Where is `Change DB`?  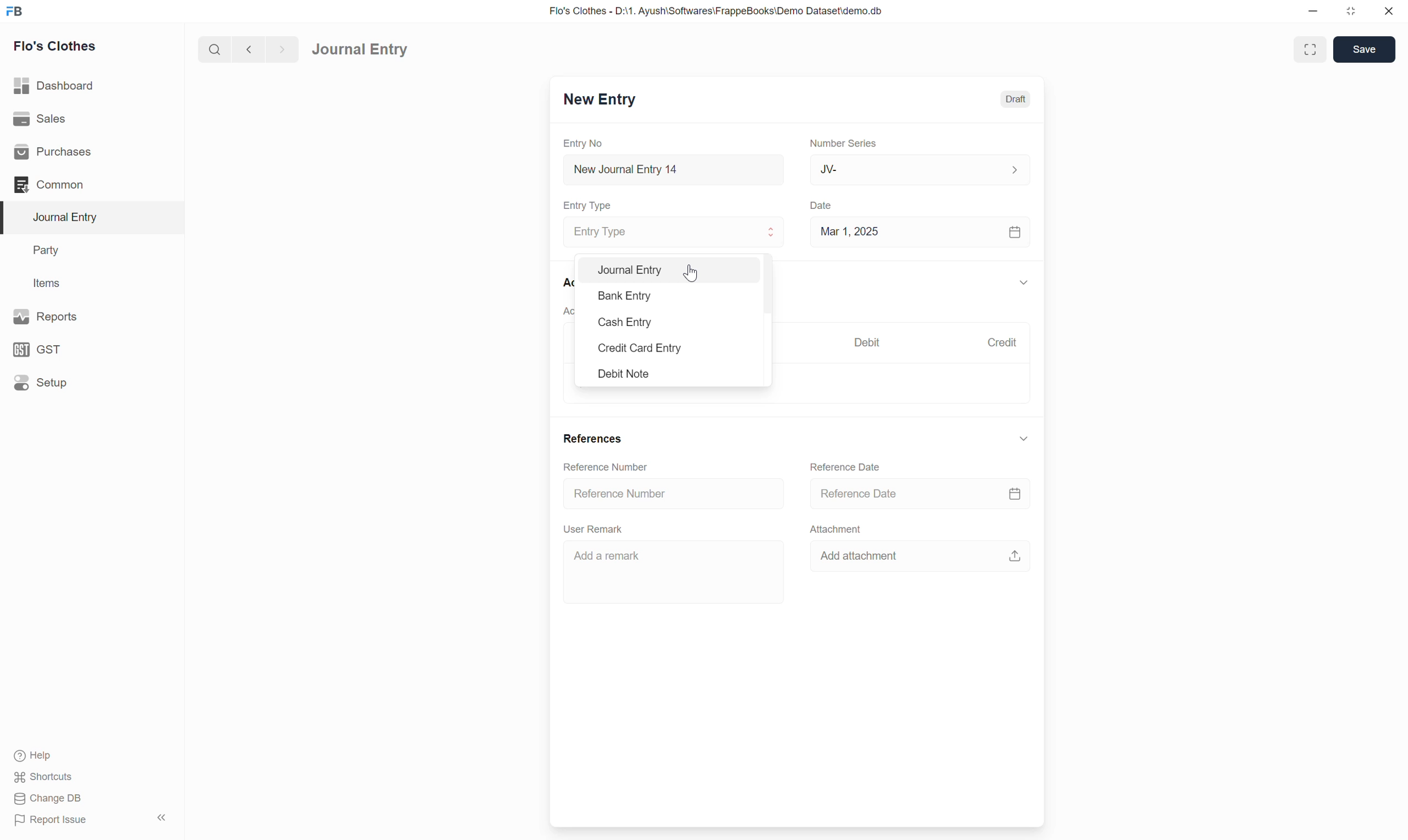
Change DB is located at coordinates (48, 798).